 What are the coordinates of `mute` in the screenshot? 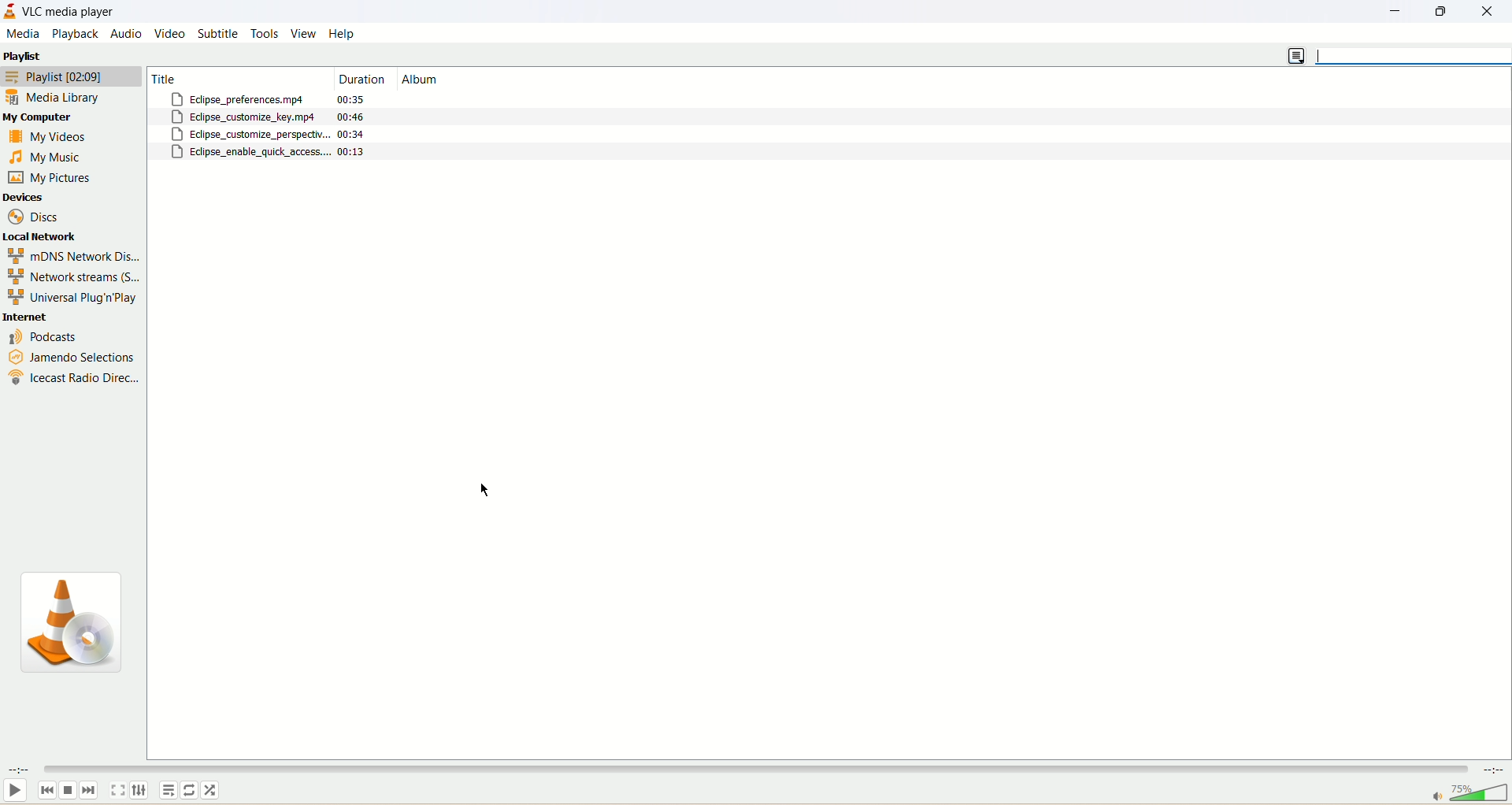 It's located at (1433, 795).